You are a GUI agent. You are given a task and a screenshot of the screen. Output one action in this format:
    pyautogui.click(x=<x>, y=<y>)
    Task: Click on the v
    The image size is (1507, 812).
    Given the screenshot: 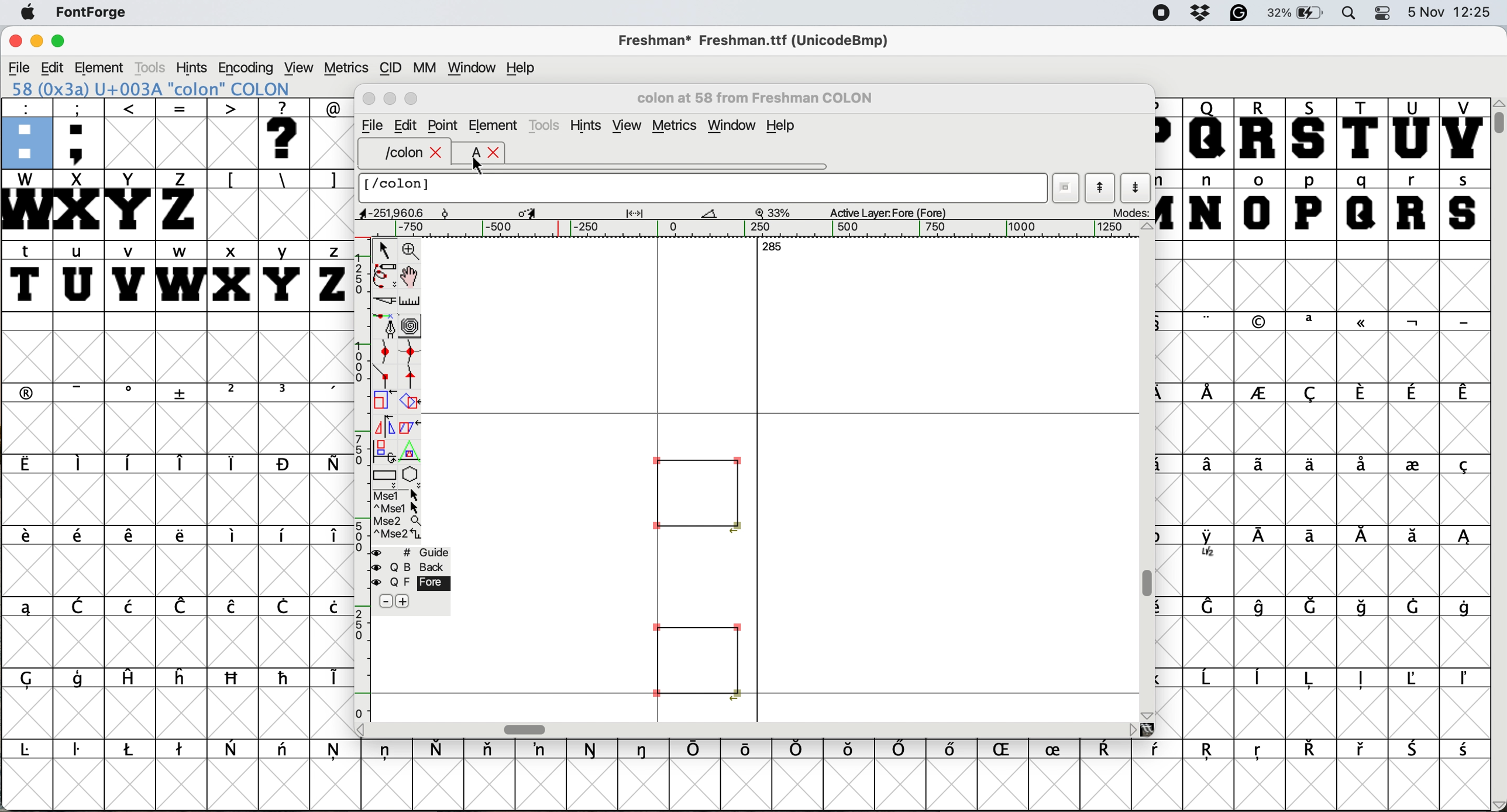 What is the action you would take?
    pyautogui.click(x=129, y=276)
    